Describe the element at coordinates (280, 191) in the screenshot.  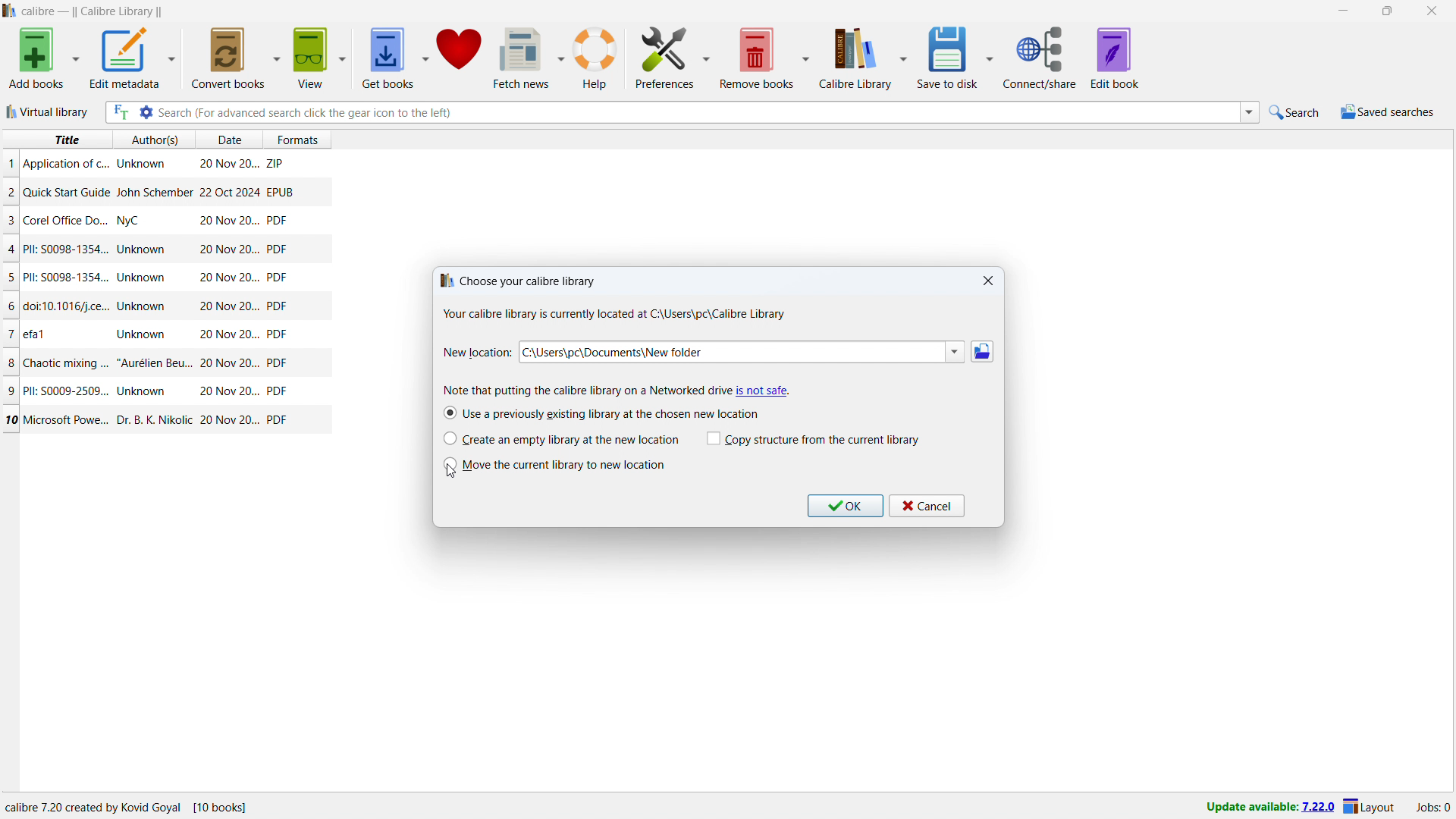
I see `EPUB` at that location.